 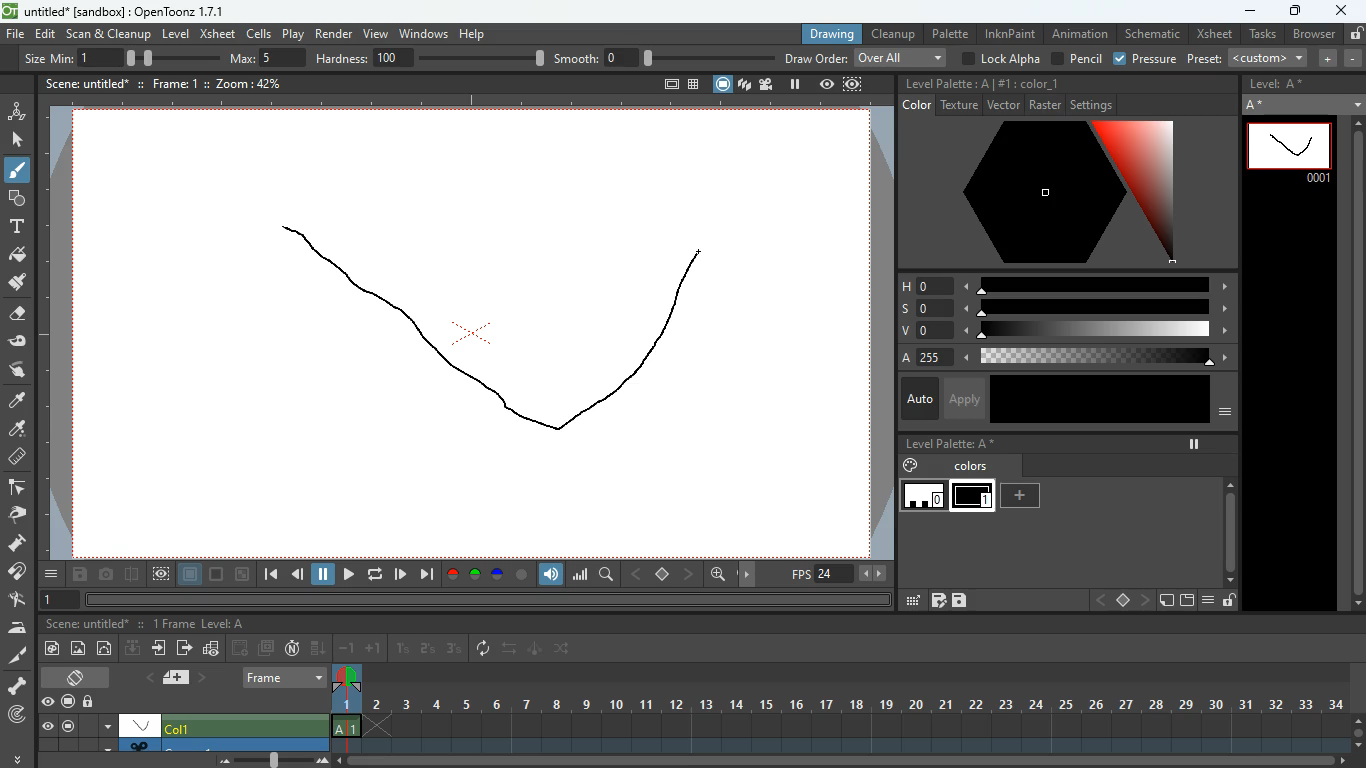 I want to click on level a, so click(x=1281, y=84).